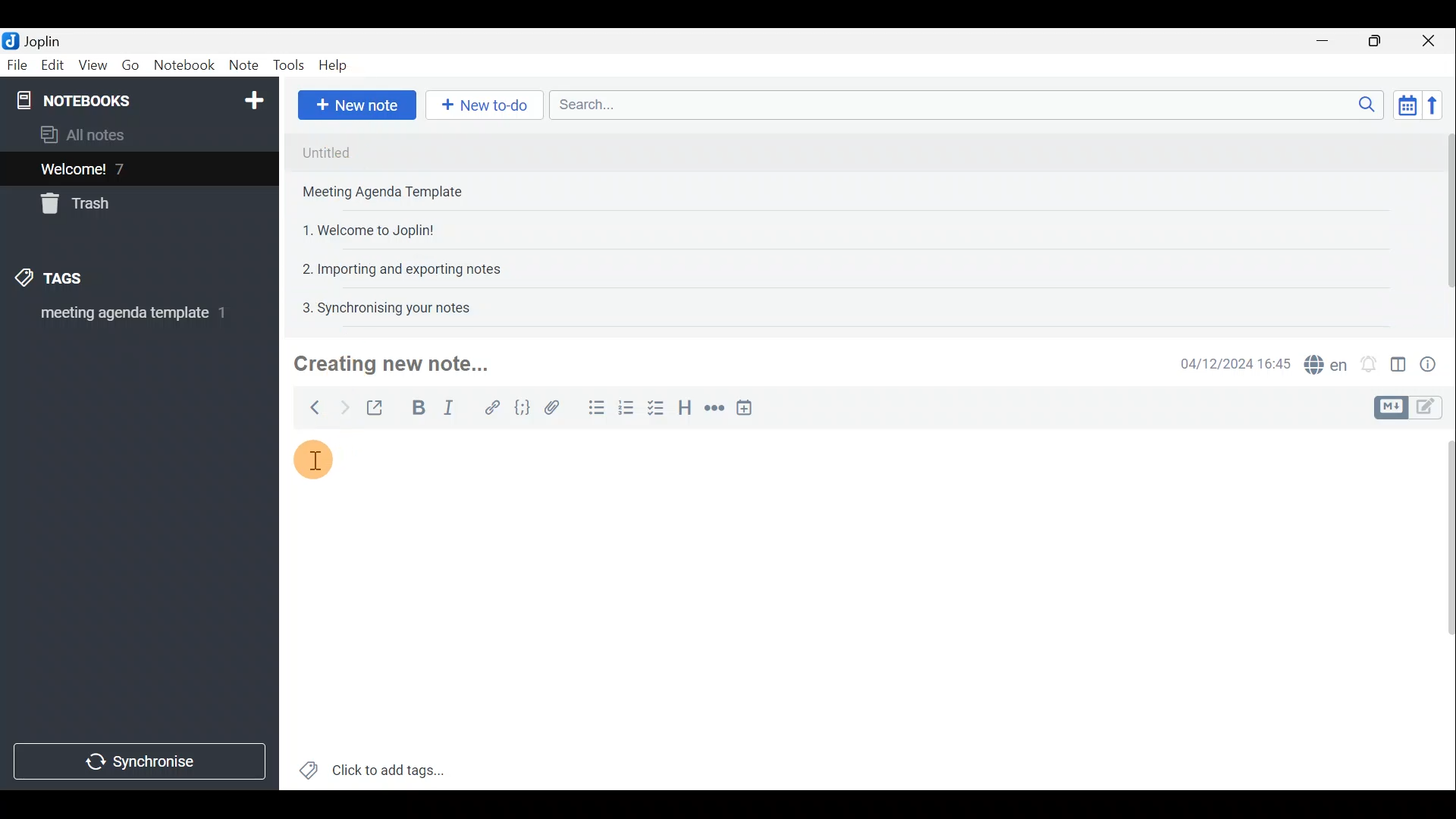  I want to click on Help, so click(335, 67).